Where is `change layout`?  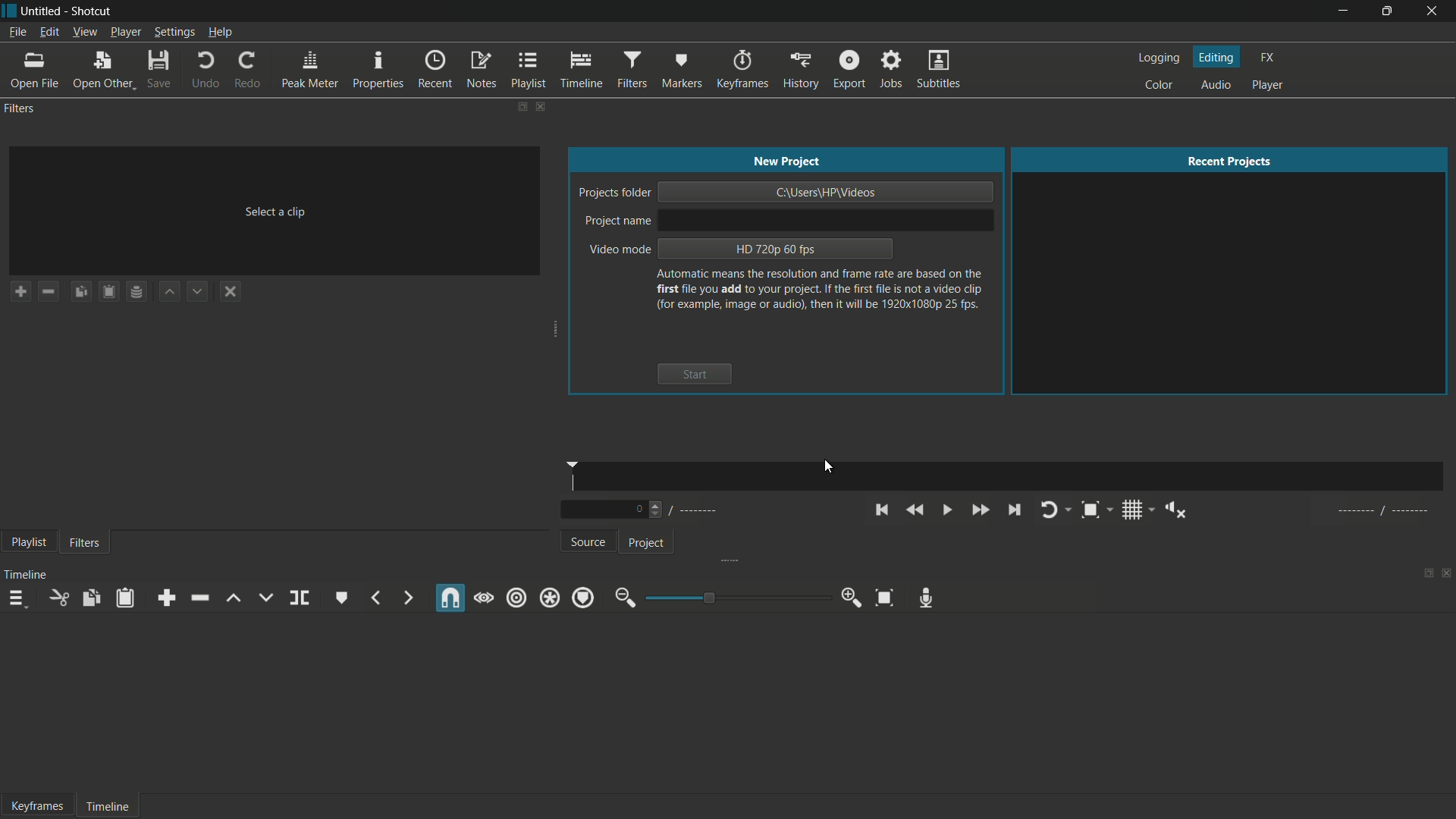 change layout is located at coordinates (516, 105).